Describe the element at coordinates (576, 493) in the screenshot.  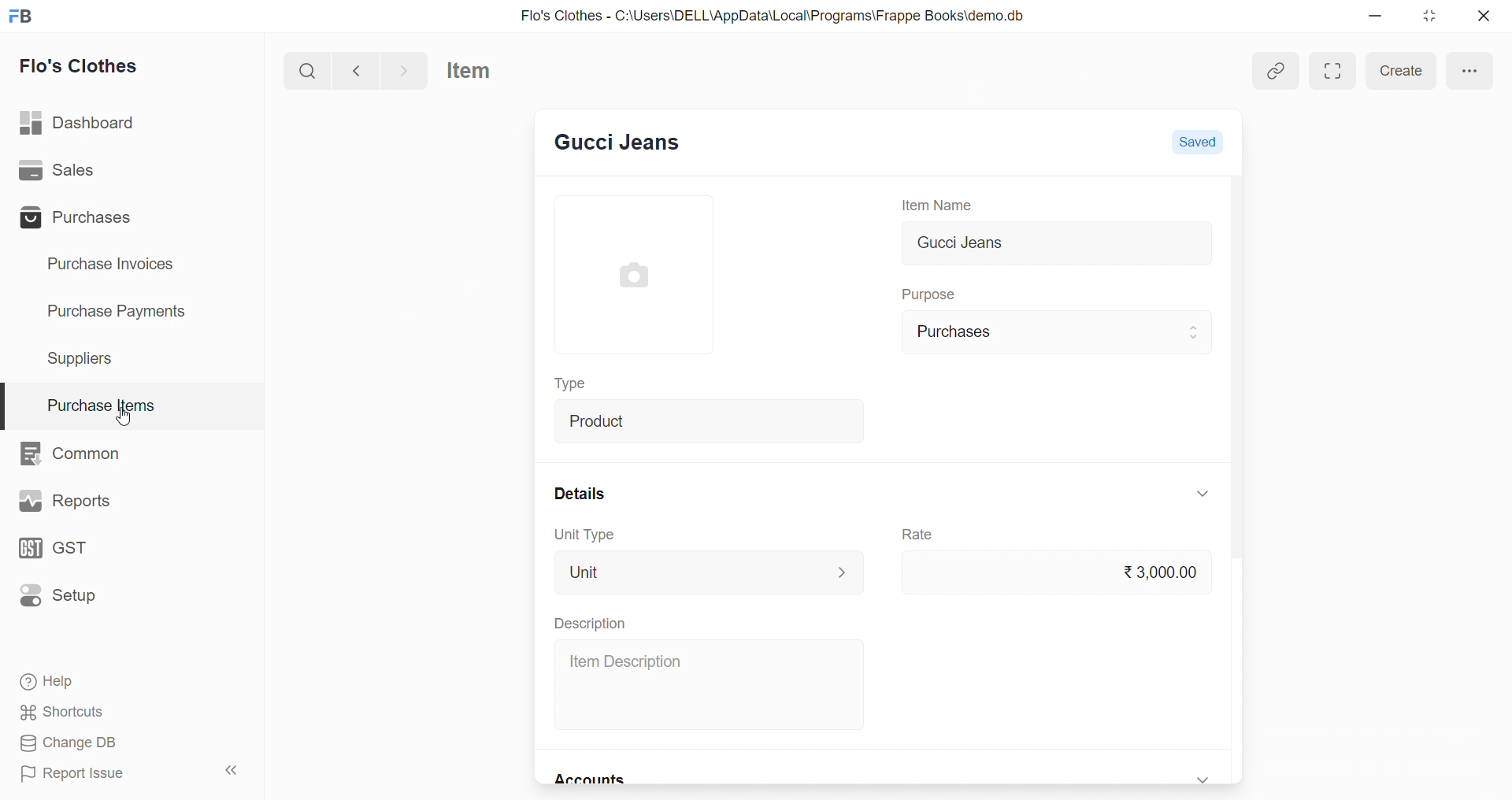
I see `Details` at that location.